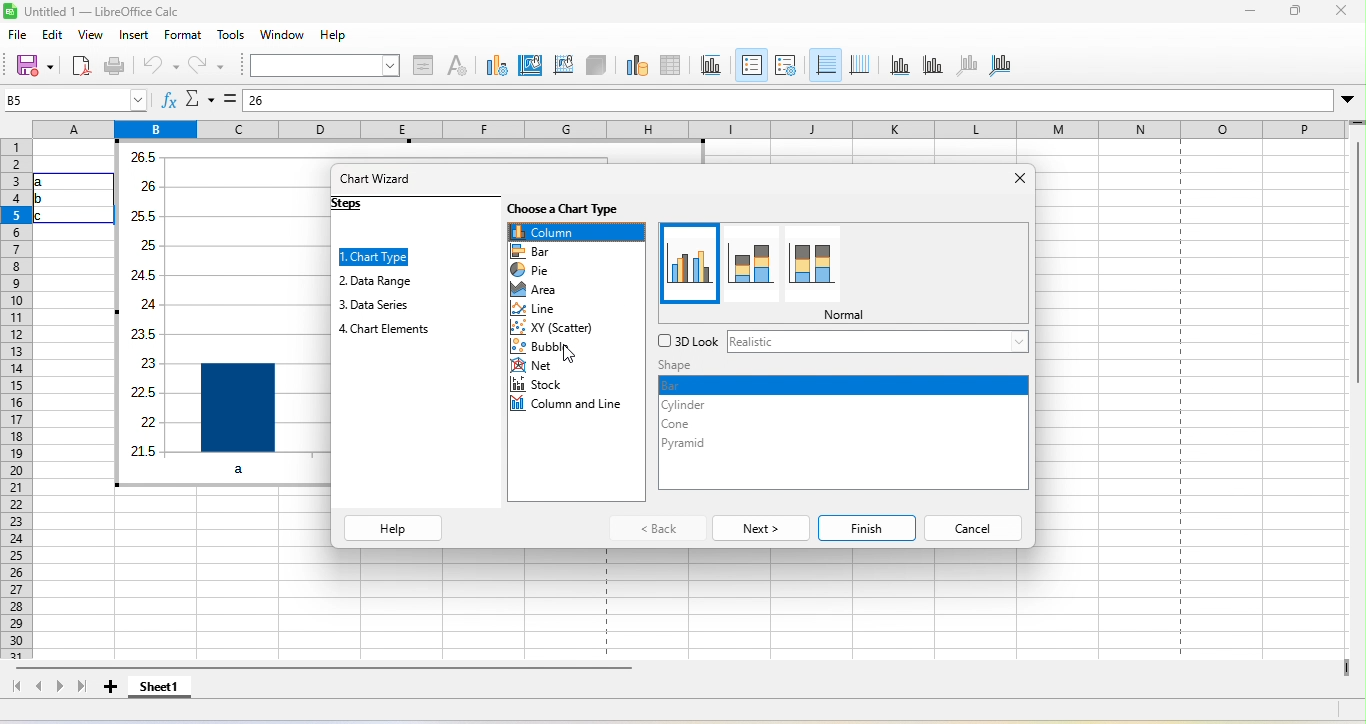 The image size is (1366, 724). What do you see at coordinates (686, 448) in the screenshot?
I see `pyramid` at bounding box center [686, 448].